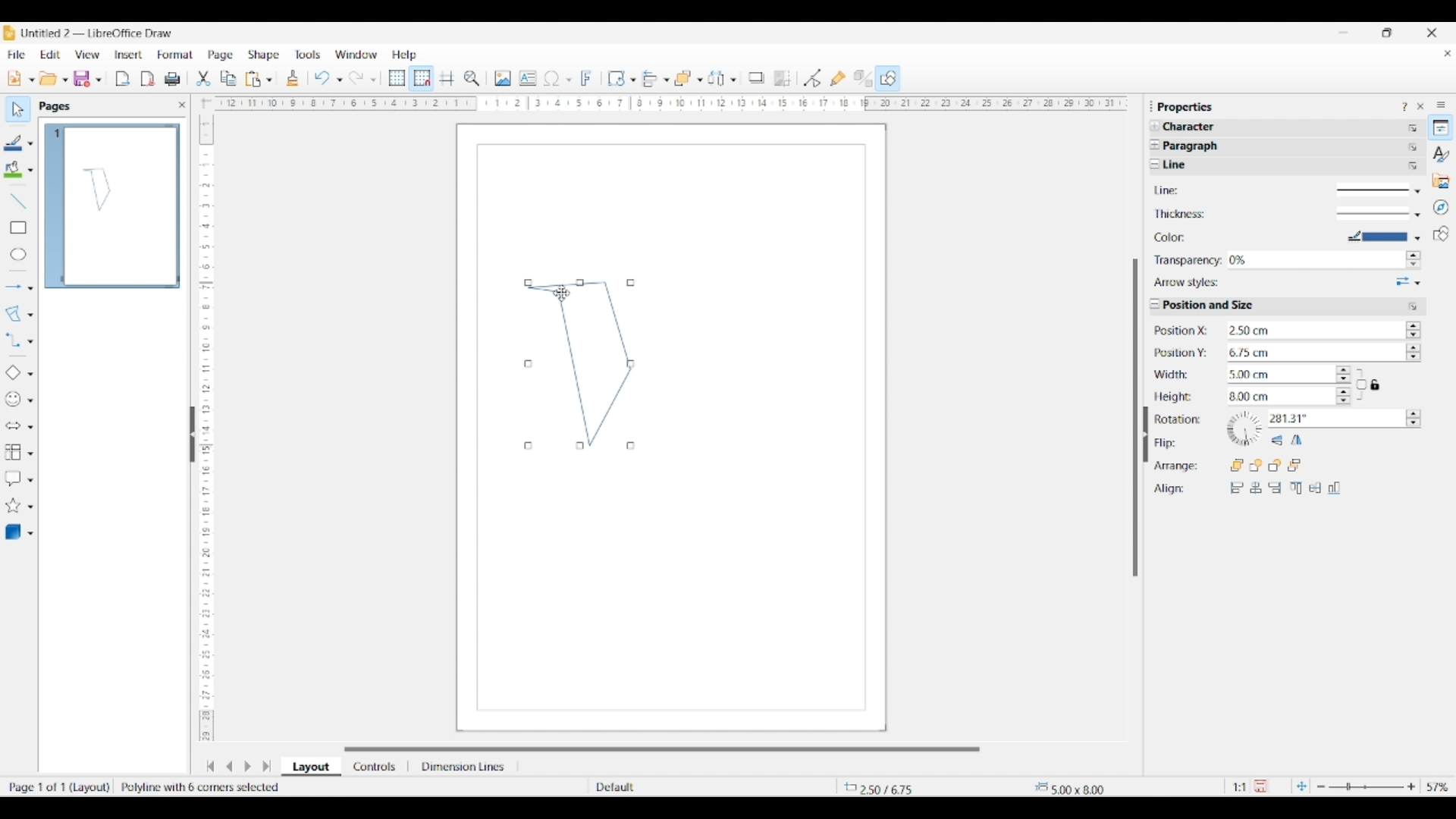 This screenshot has height=819, width=1456. I want to click on Align top, so click(1296, 488).